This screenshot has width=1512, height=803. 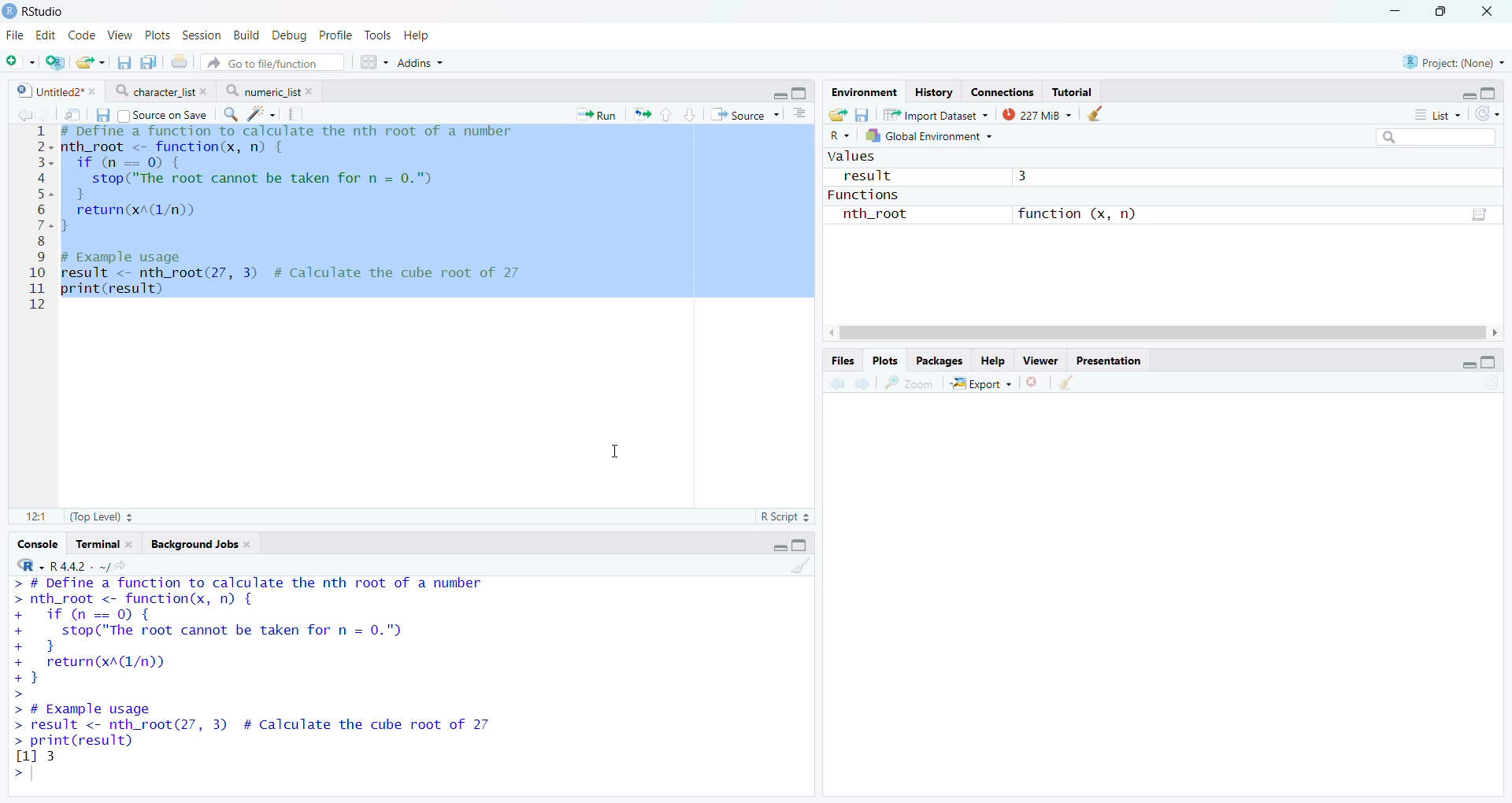 What do you see at coordinates (1487, 113) in the screenshot?
I see `Refresh list` at bounding box center [1487, 113].